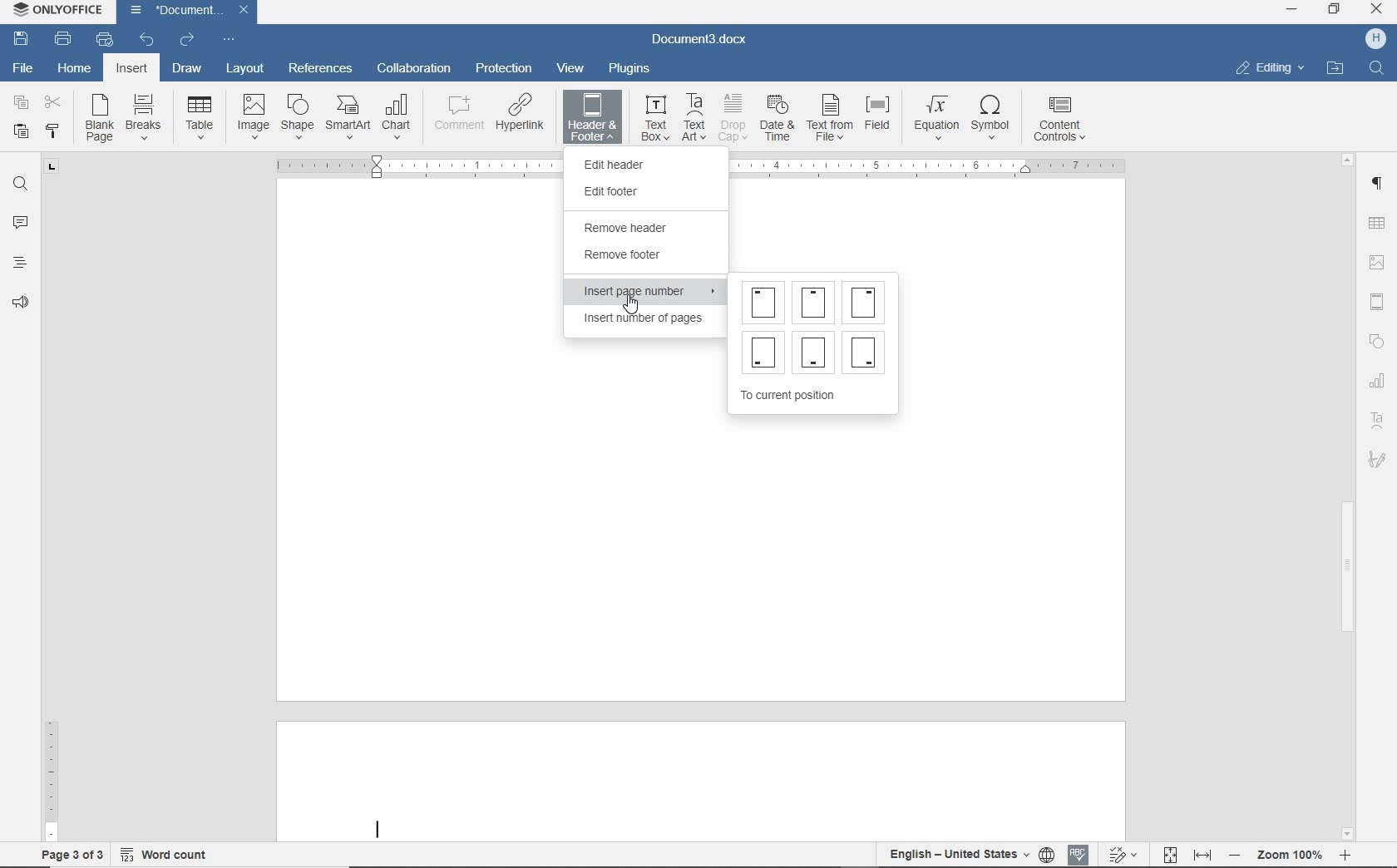 This screenshot has width=1397, height=868. What do you see at coordinates (630, 69) in the screenshot?
I see `PLUGINS` at bounding box center [630, 69].